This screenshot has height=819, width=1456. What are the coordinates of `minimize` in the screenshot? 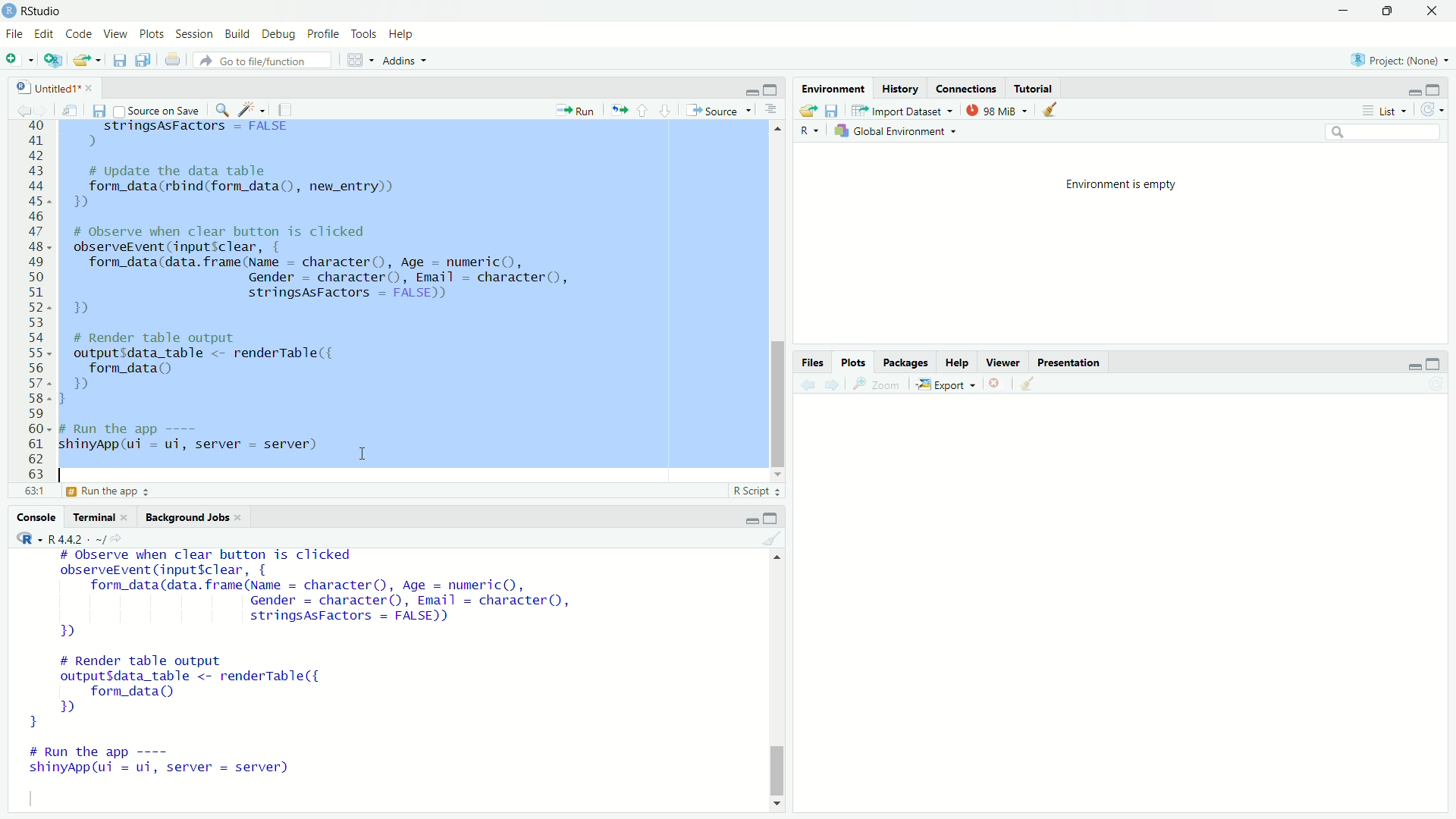 It's located at (1346, 10).